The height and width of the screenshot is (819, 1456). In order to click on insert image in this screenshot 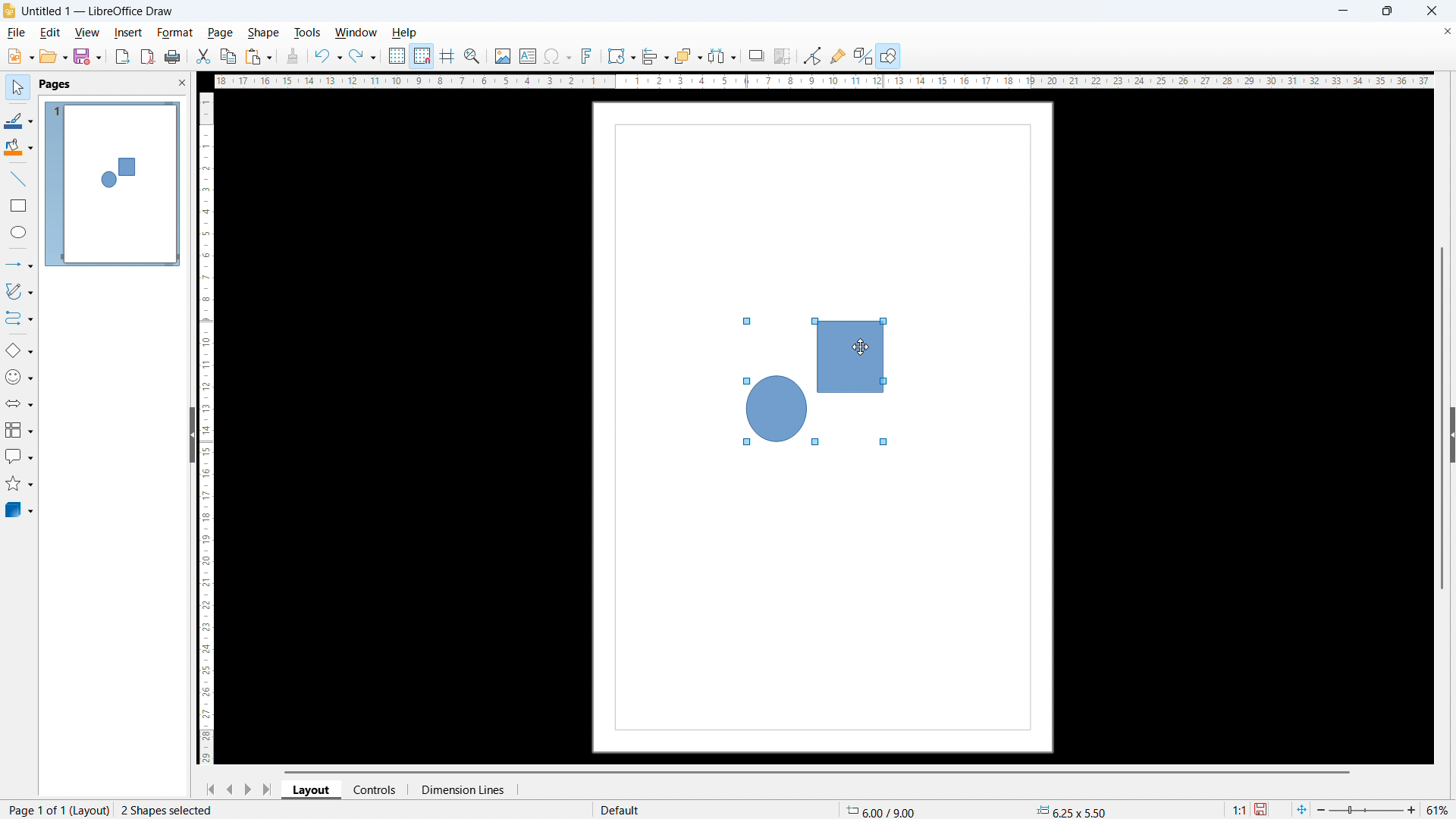, I will do `click(503, 57)`.